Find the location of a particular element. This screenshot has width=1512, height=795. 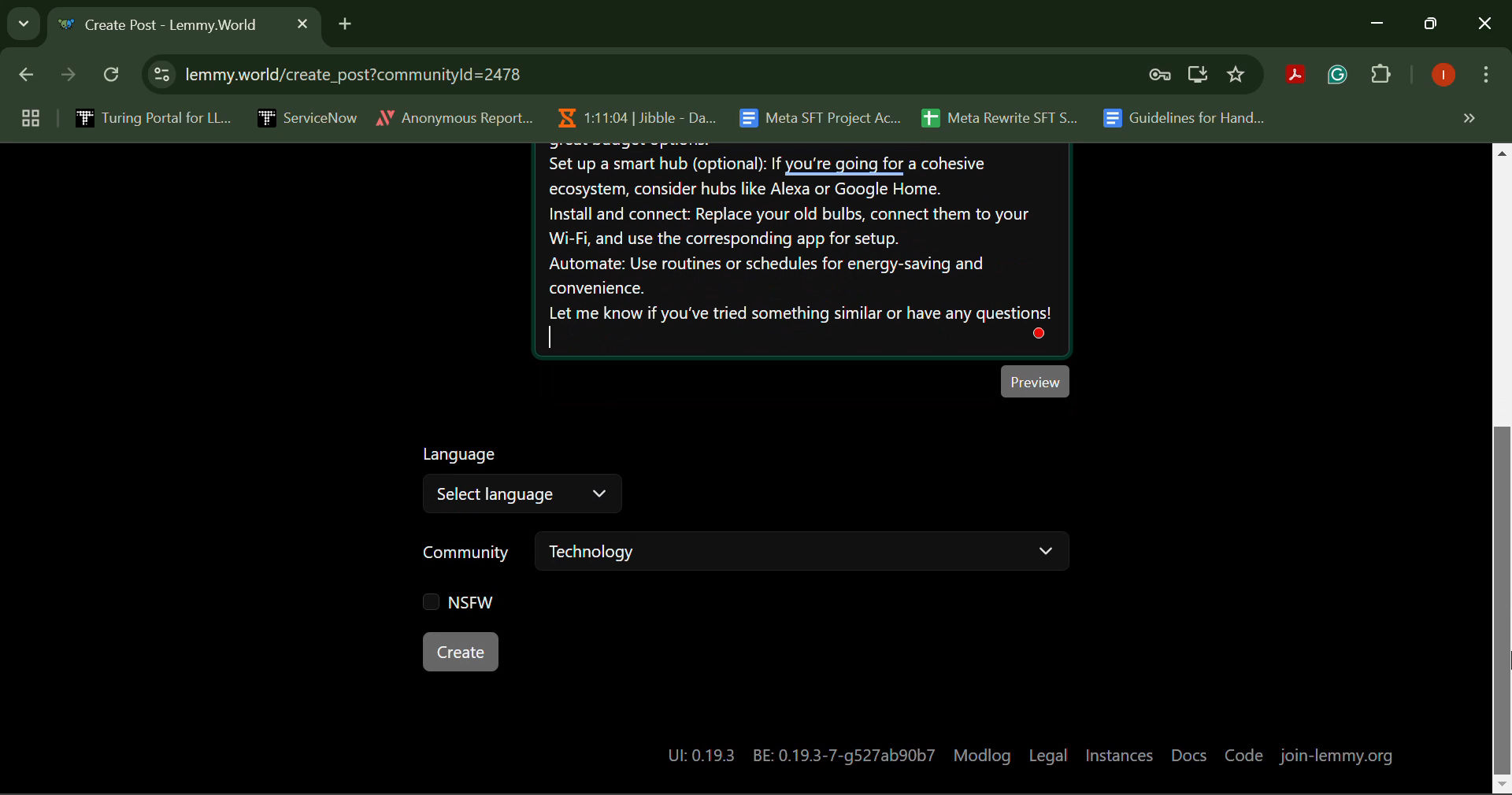

Instances is located at coordinates (1120, 750).